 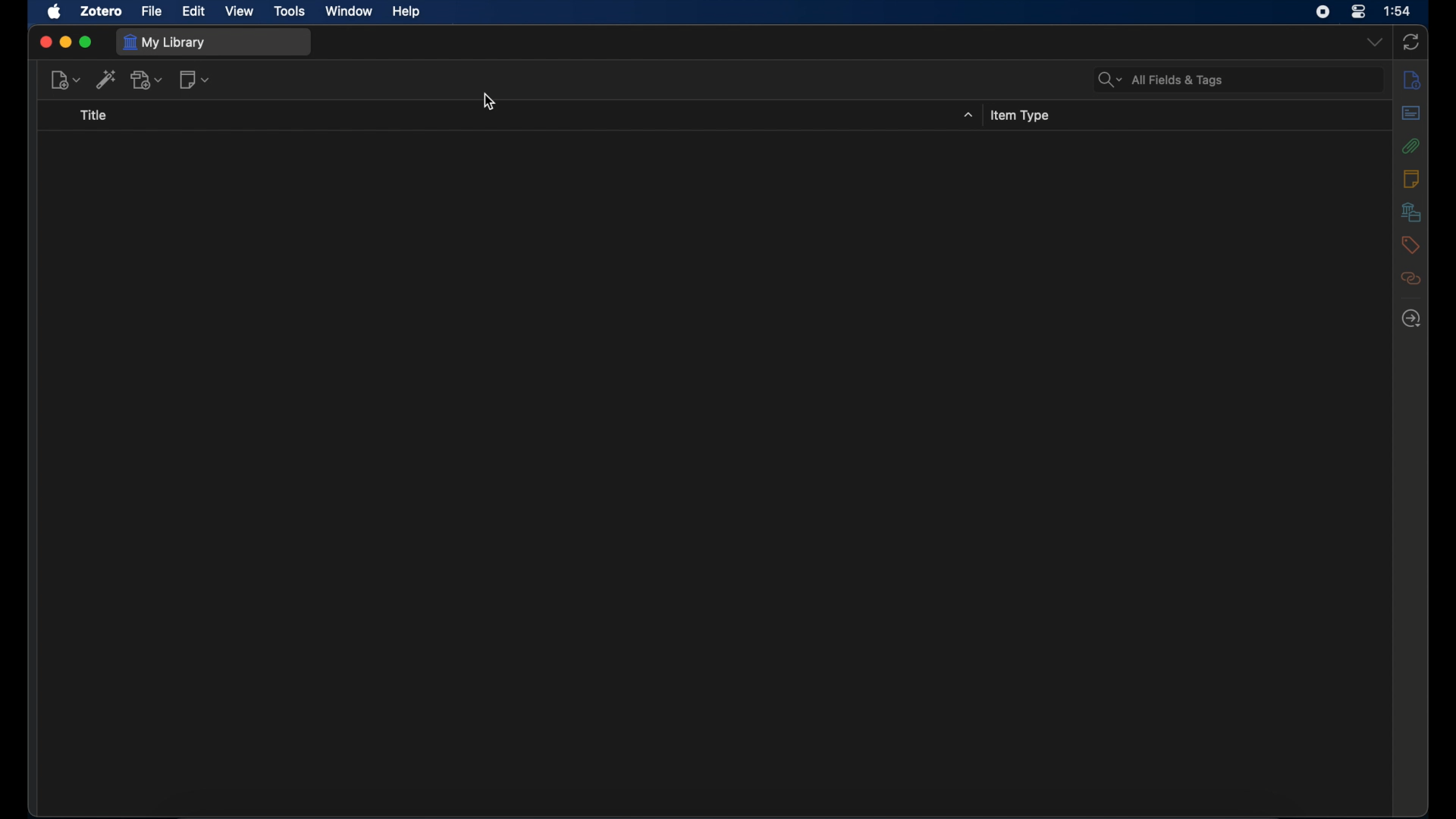 What do you see at coordinates (65, 42) in the screenshot?
I see `minimize` at bounding box center [65, 42].